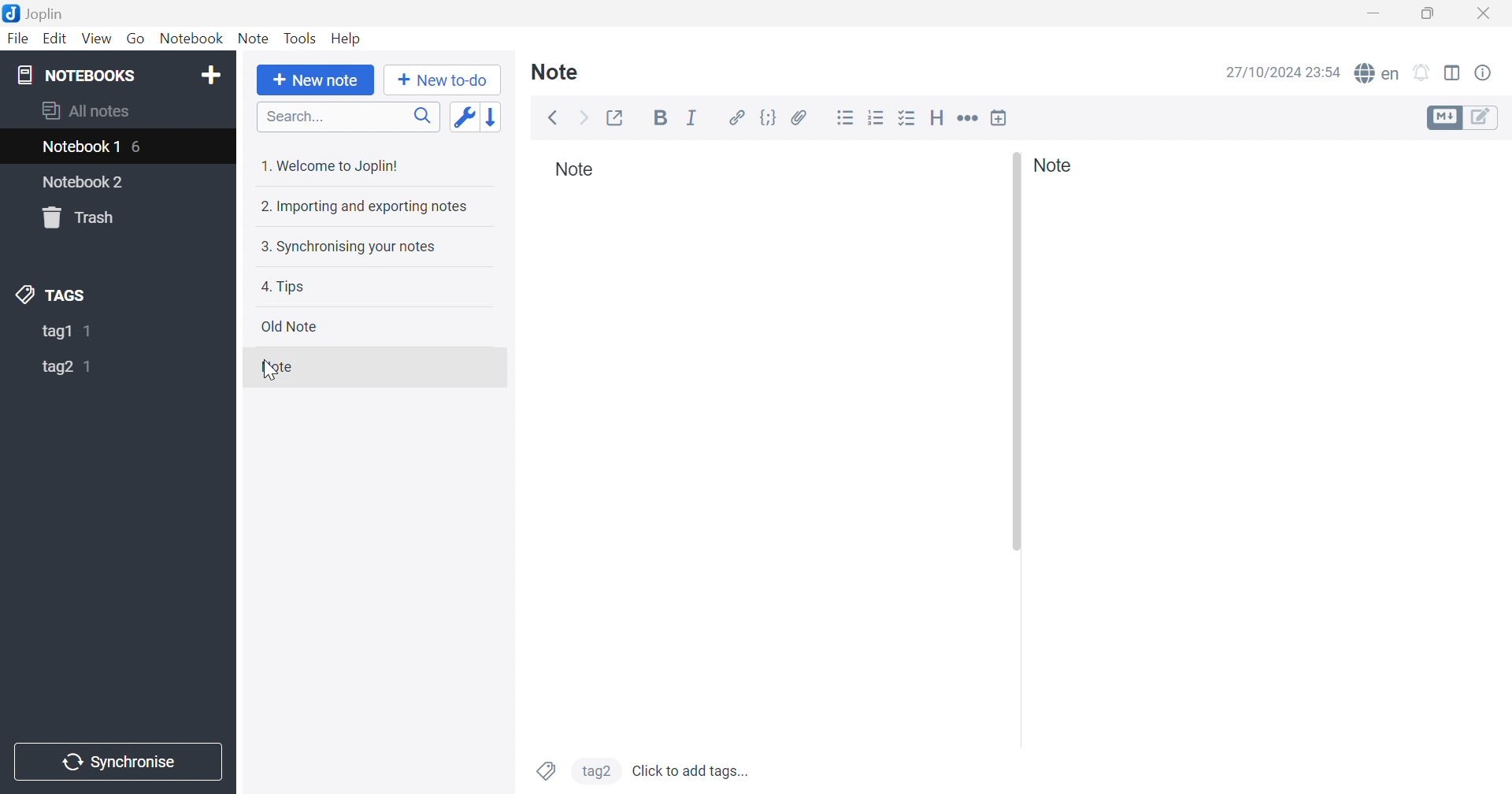 The image size is (1512, 794). I want to click on Code, so click(769, 121).